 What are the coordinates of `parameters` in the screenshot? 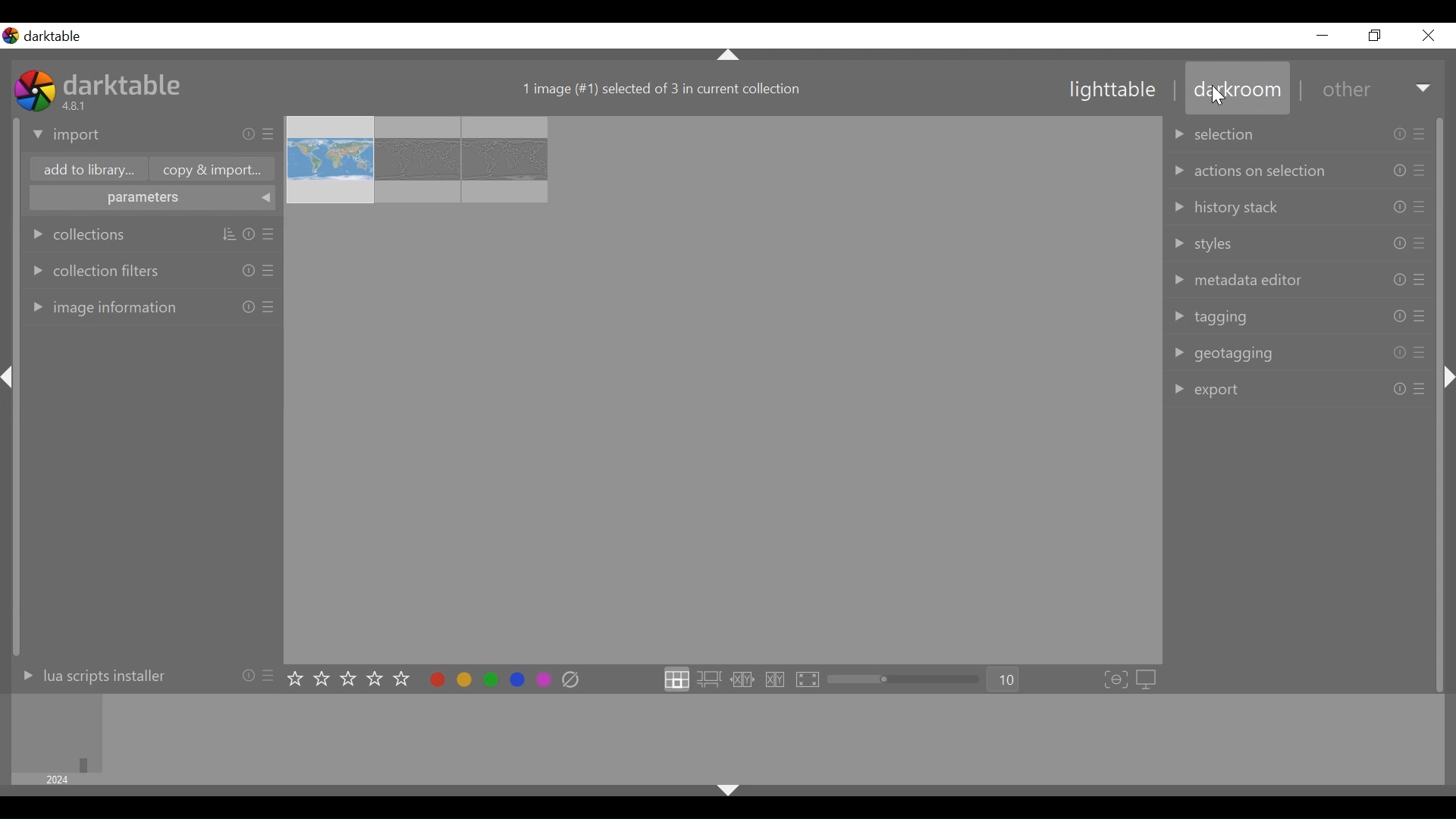 It's located at (149, 198).